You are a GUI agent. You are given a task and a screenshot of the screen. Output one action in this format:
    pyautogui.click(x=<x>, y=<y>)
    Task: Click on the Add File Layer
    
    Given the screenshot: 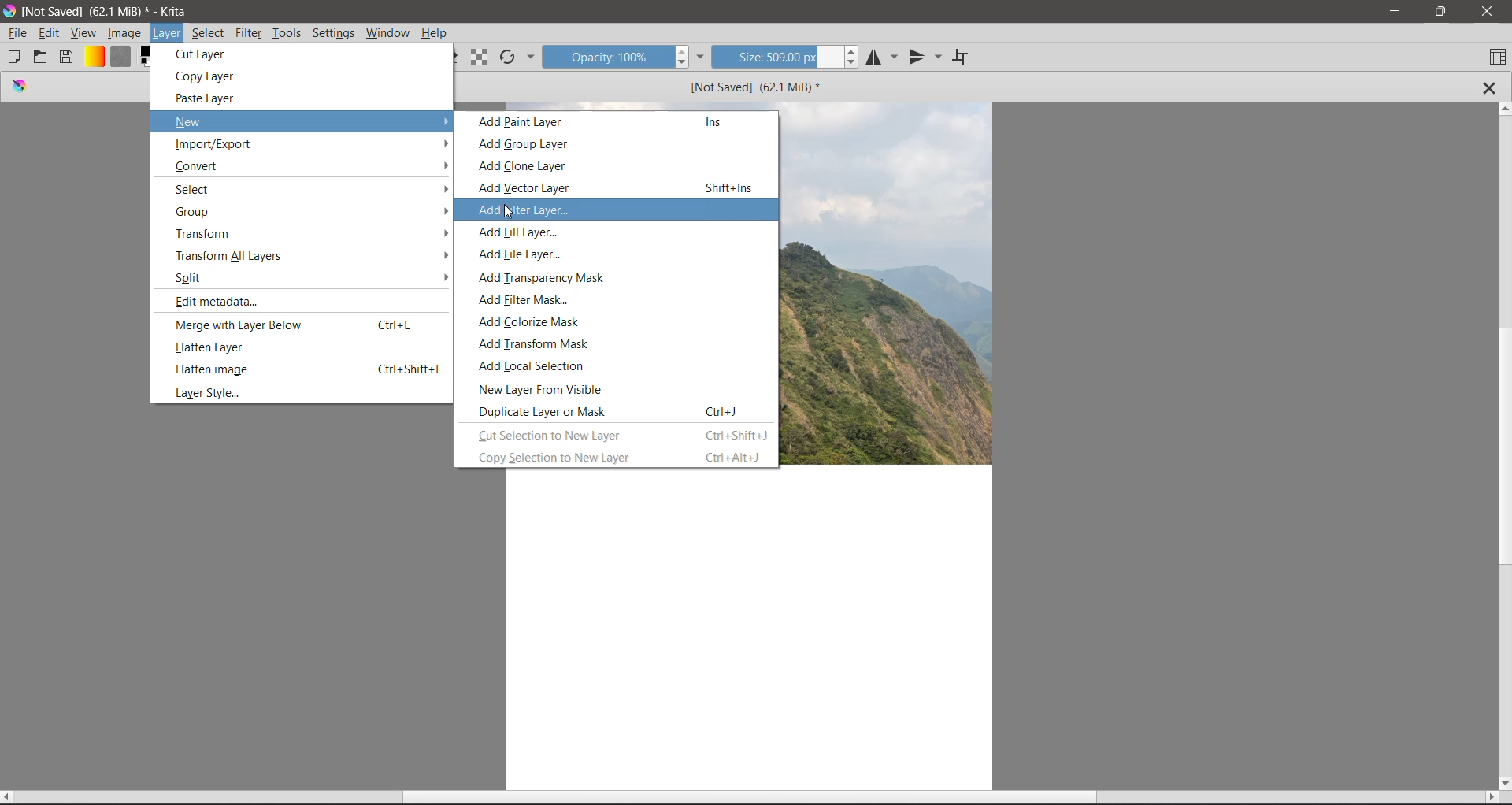 What is the action you would take?
    pyautogui.click(x=525, y=255)
    